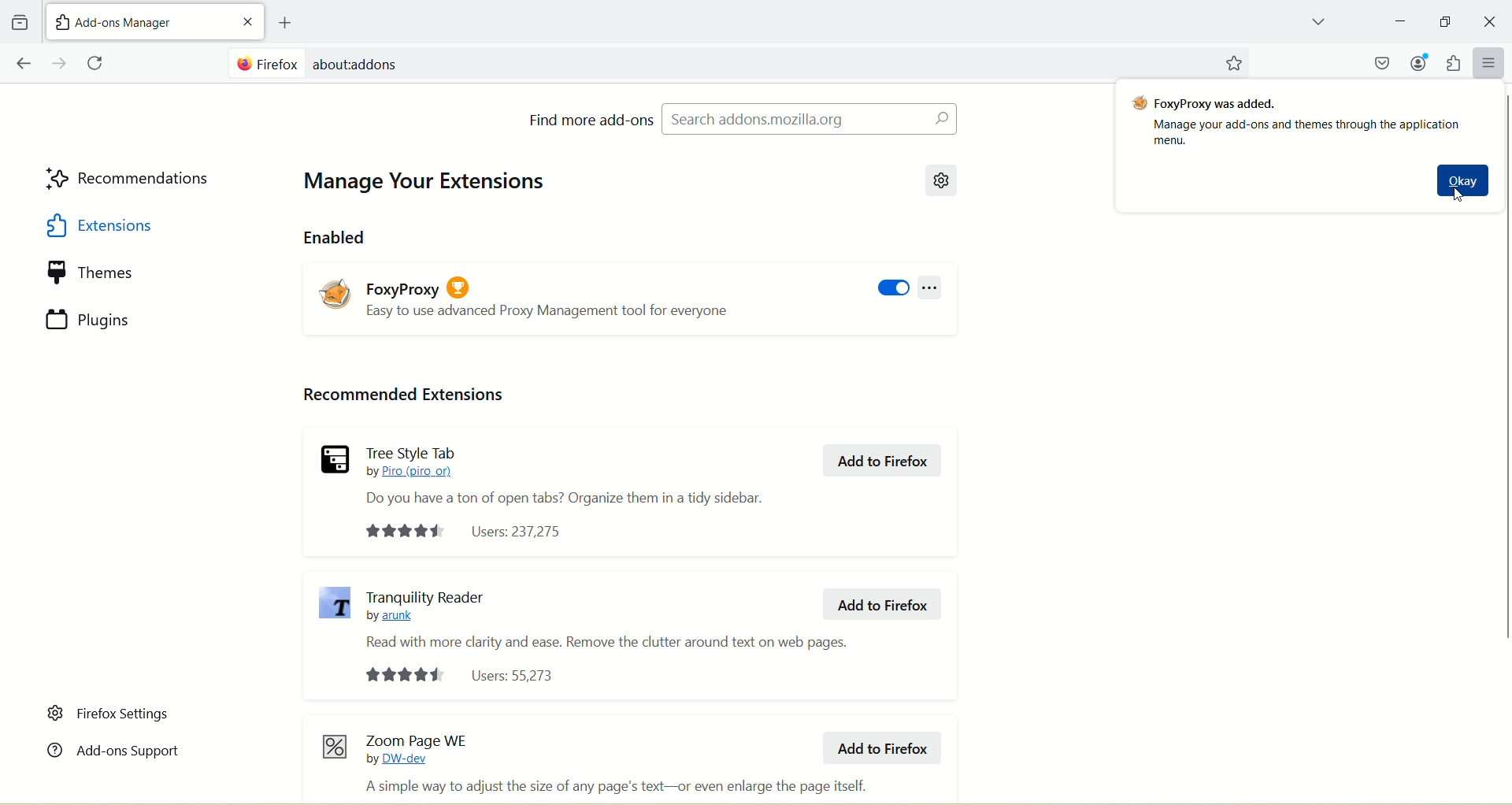 The image size is (1512, 805). I want to click on New Tab, so click(139, 20).